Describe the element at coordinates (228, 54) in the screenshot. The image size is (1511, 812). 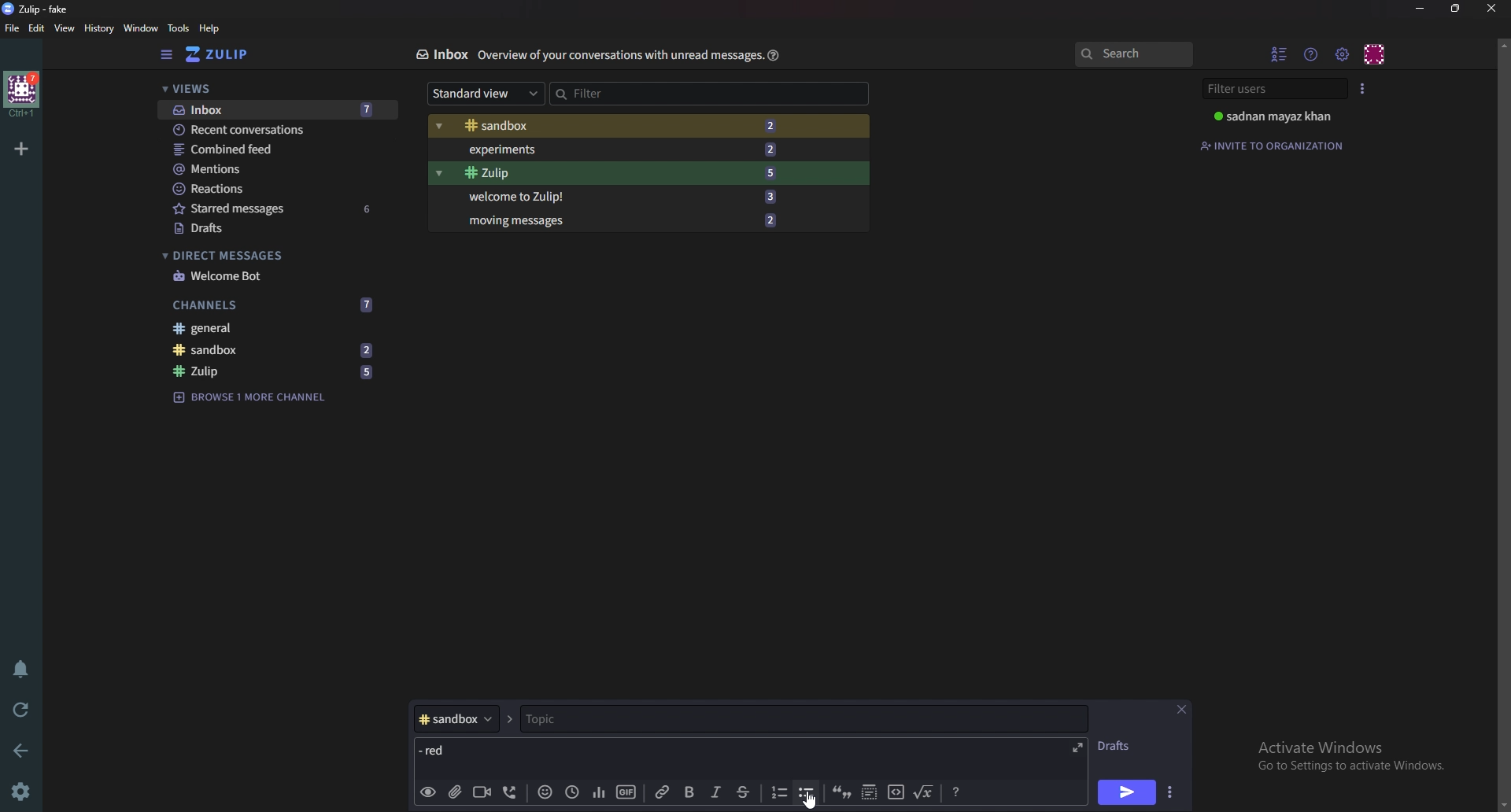
I see `Home view` at that location.